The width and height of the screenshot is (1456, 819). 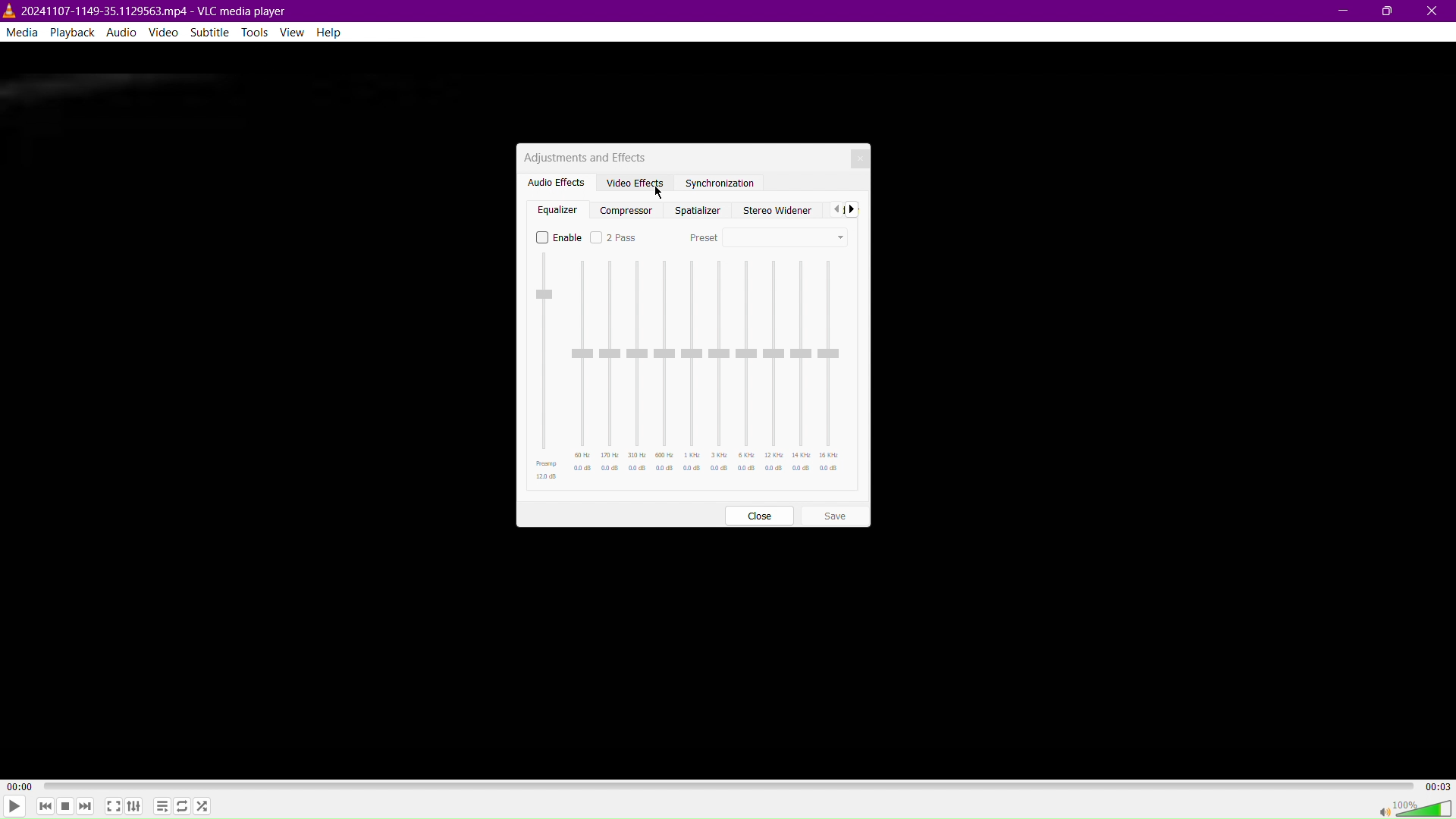 What do you see at coordinates (21, 31) in the screenshot?
I see `Media` at bounding box center [21, 31].